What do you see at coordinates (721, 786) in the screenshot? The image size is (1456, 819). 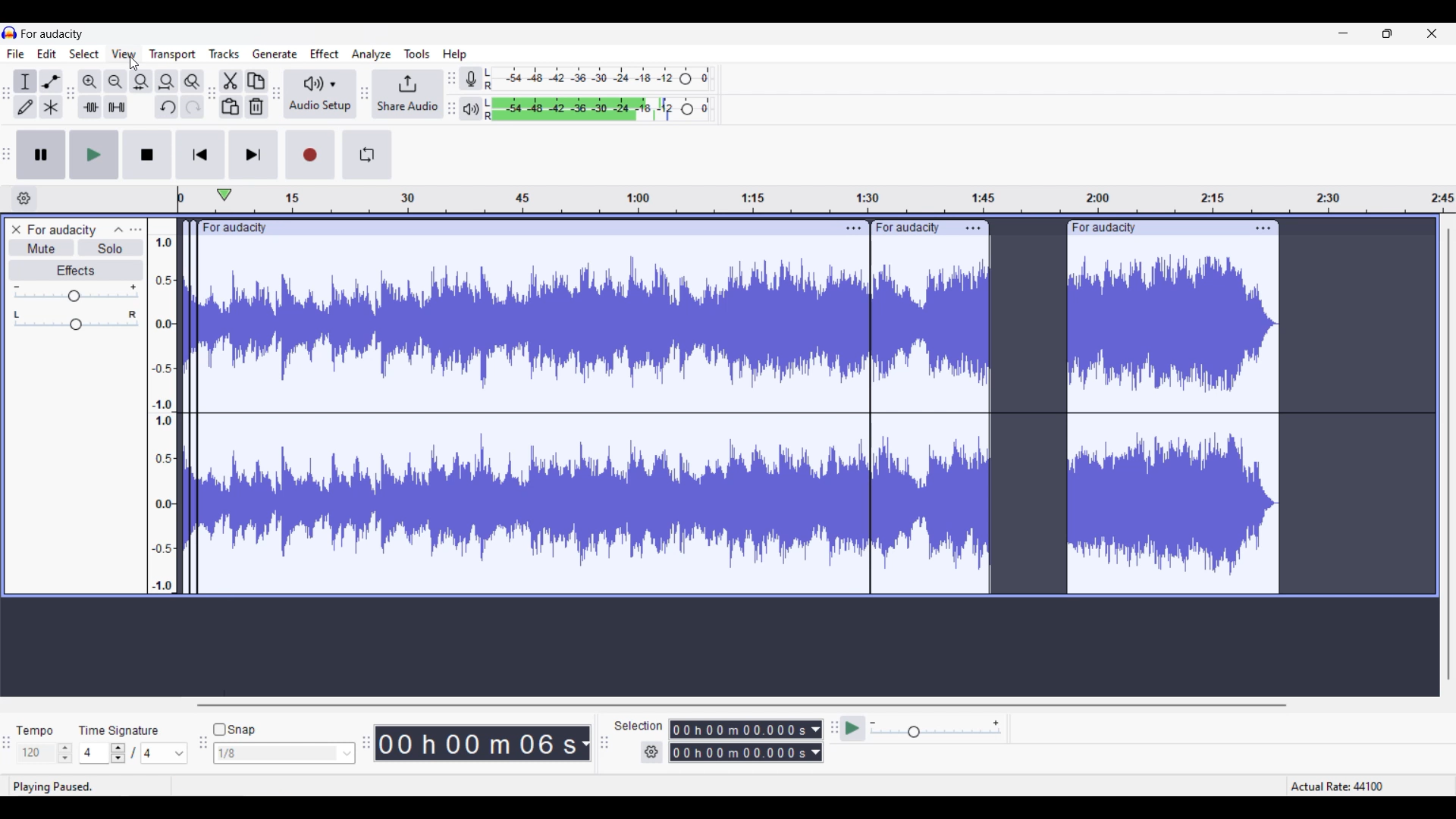 I see `playing paused actual rate: 44100` at bounding box center [721, 786].